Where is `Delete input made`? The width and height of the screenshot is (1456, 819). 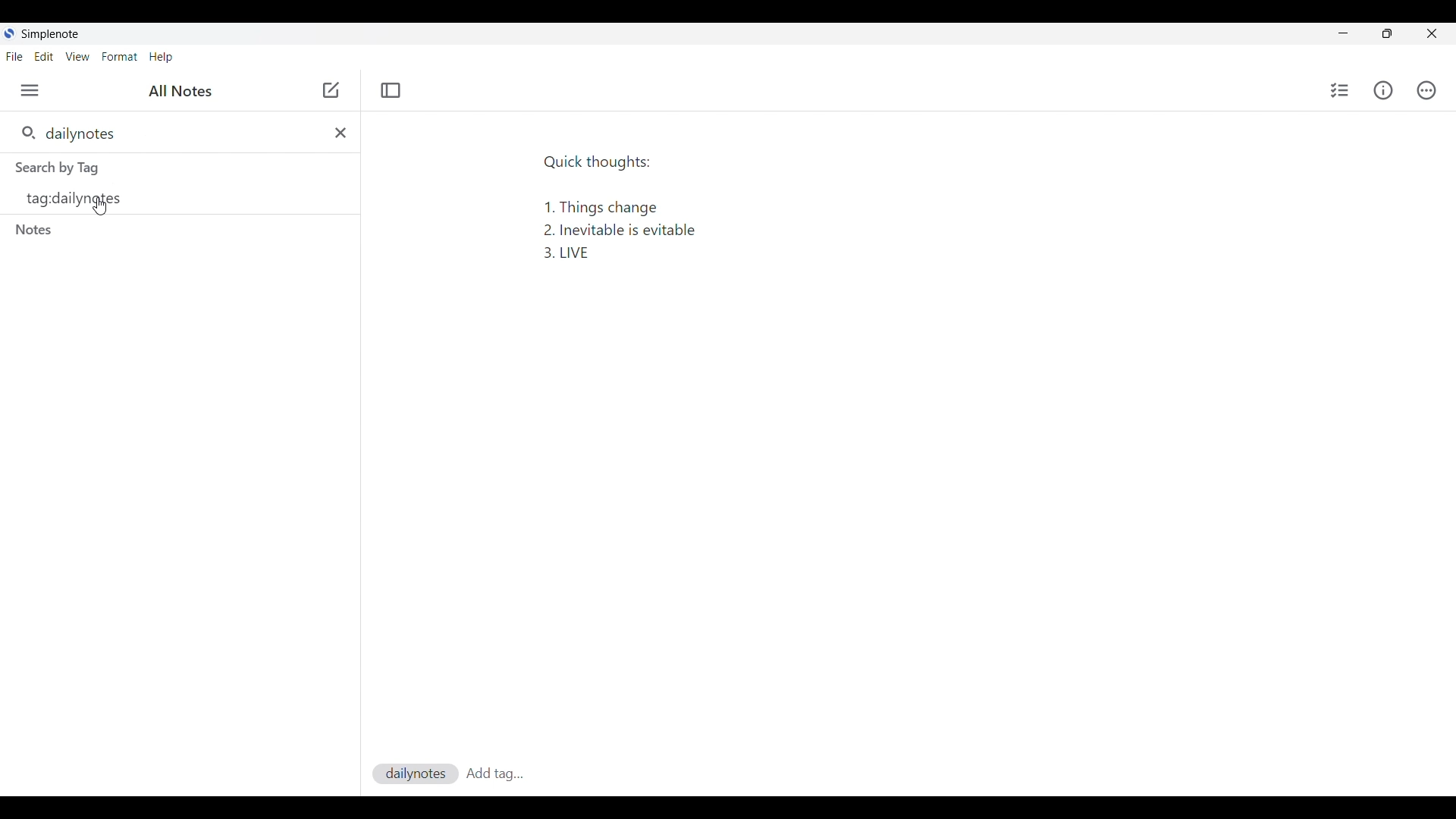 Delete input made is located at coordinates (340, 133).